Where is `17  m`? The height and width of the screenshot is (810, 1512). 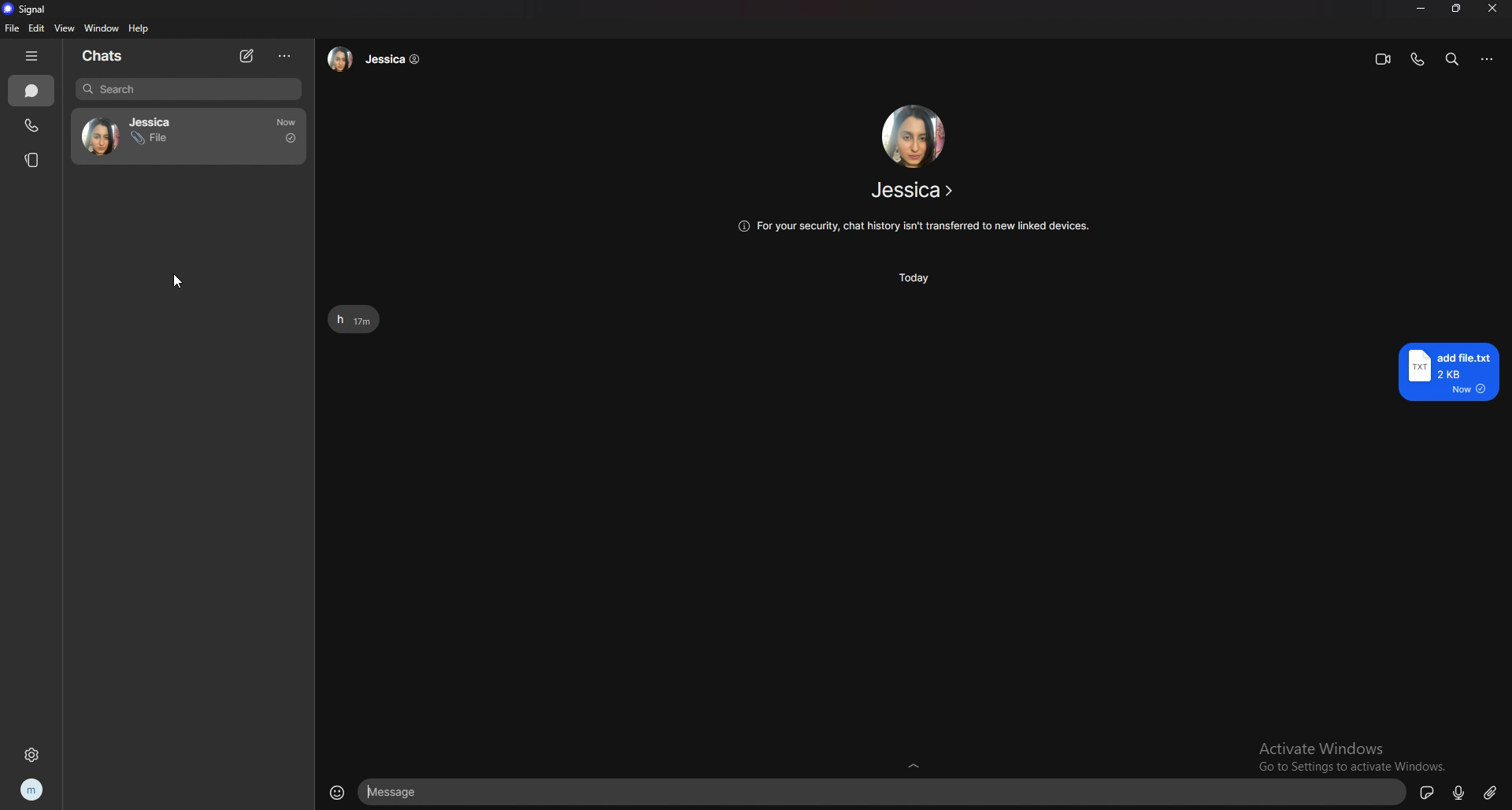 17  m is located at coordinates (362, 321).